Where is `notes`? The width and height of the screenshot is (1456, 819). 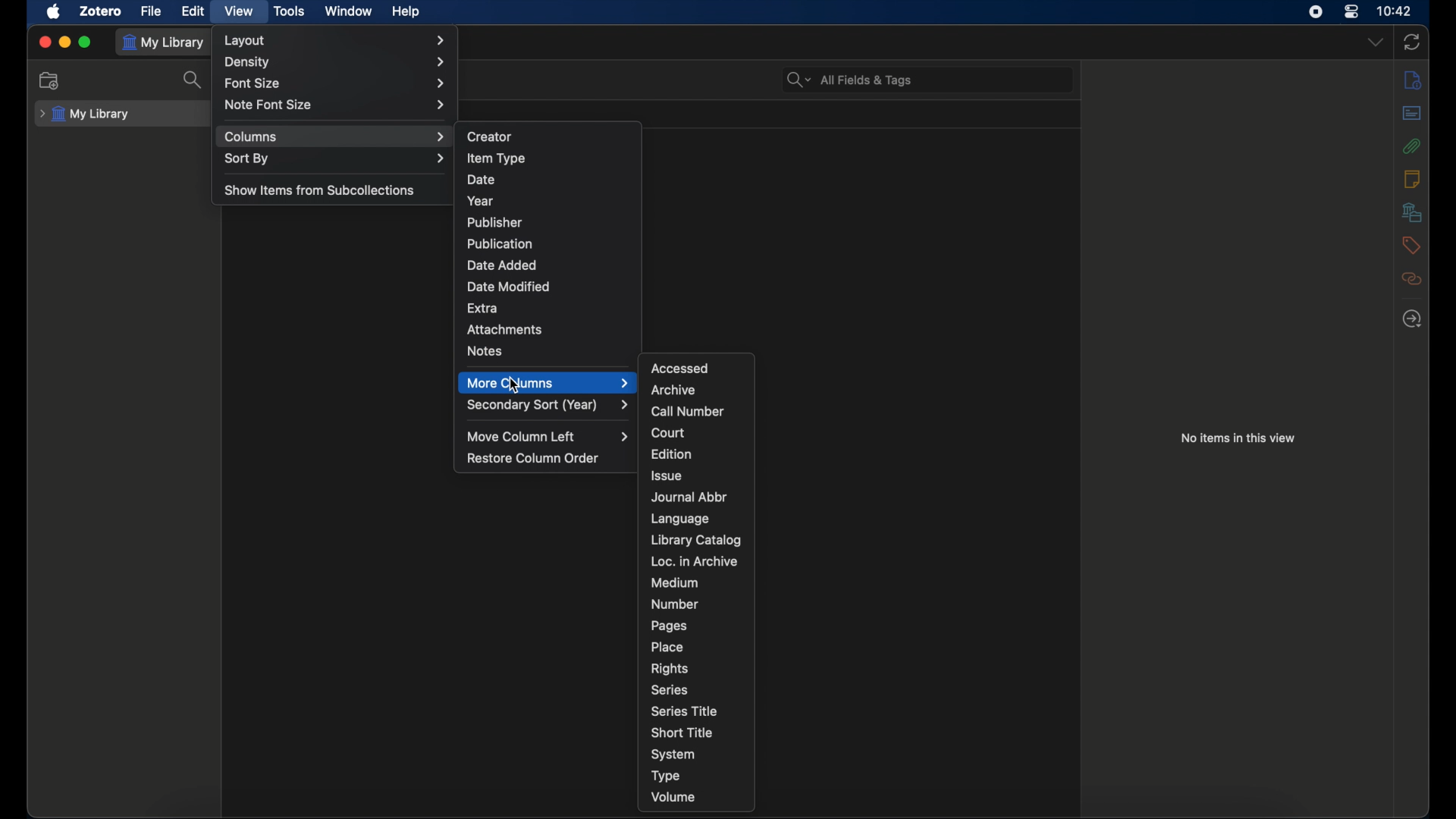 notes is located at coordinates (485, 350).